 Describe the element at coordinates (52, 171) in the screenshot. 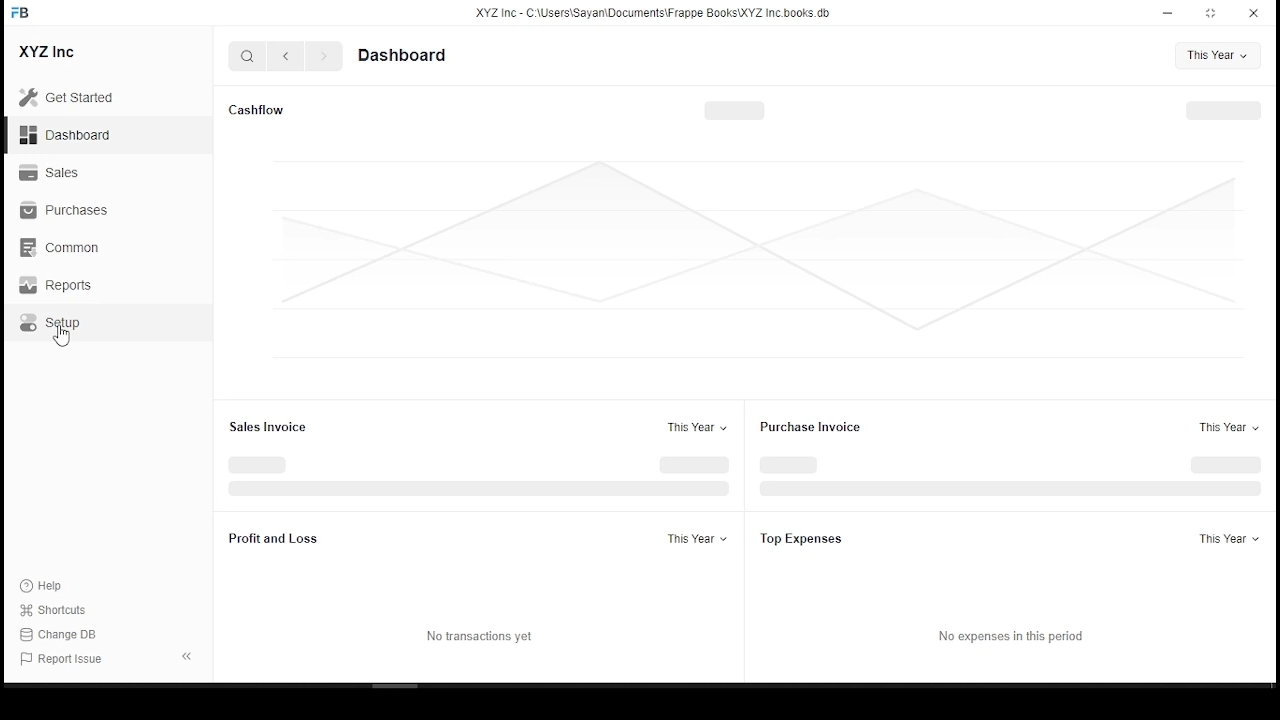

I see `Sales` at that location.